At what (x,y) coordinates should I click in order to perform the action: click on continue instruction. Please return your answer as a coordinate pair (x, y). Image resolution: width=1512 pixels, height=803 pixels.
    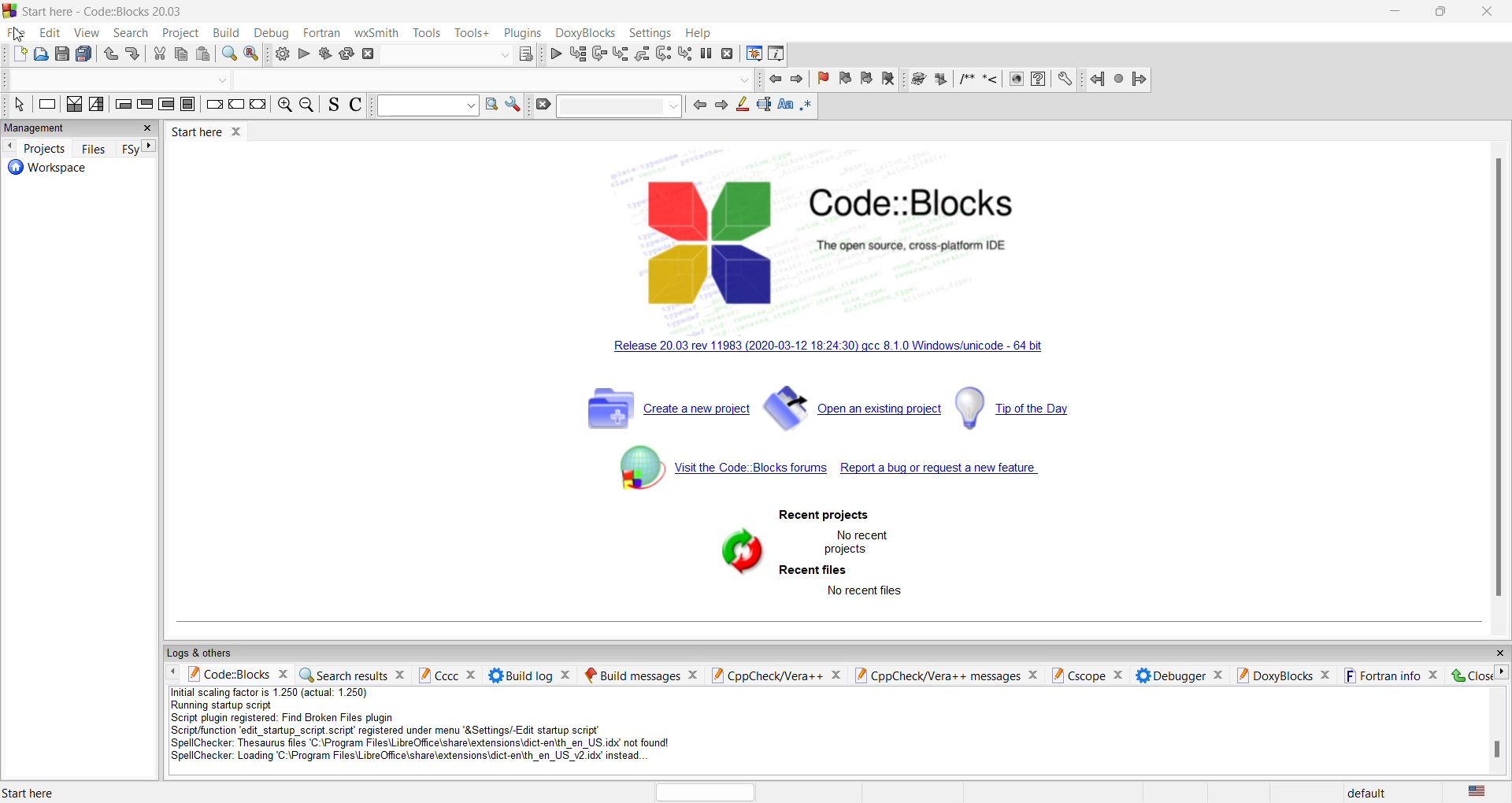
    Looking at the image, I should click on (235, 107).